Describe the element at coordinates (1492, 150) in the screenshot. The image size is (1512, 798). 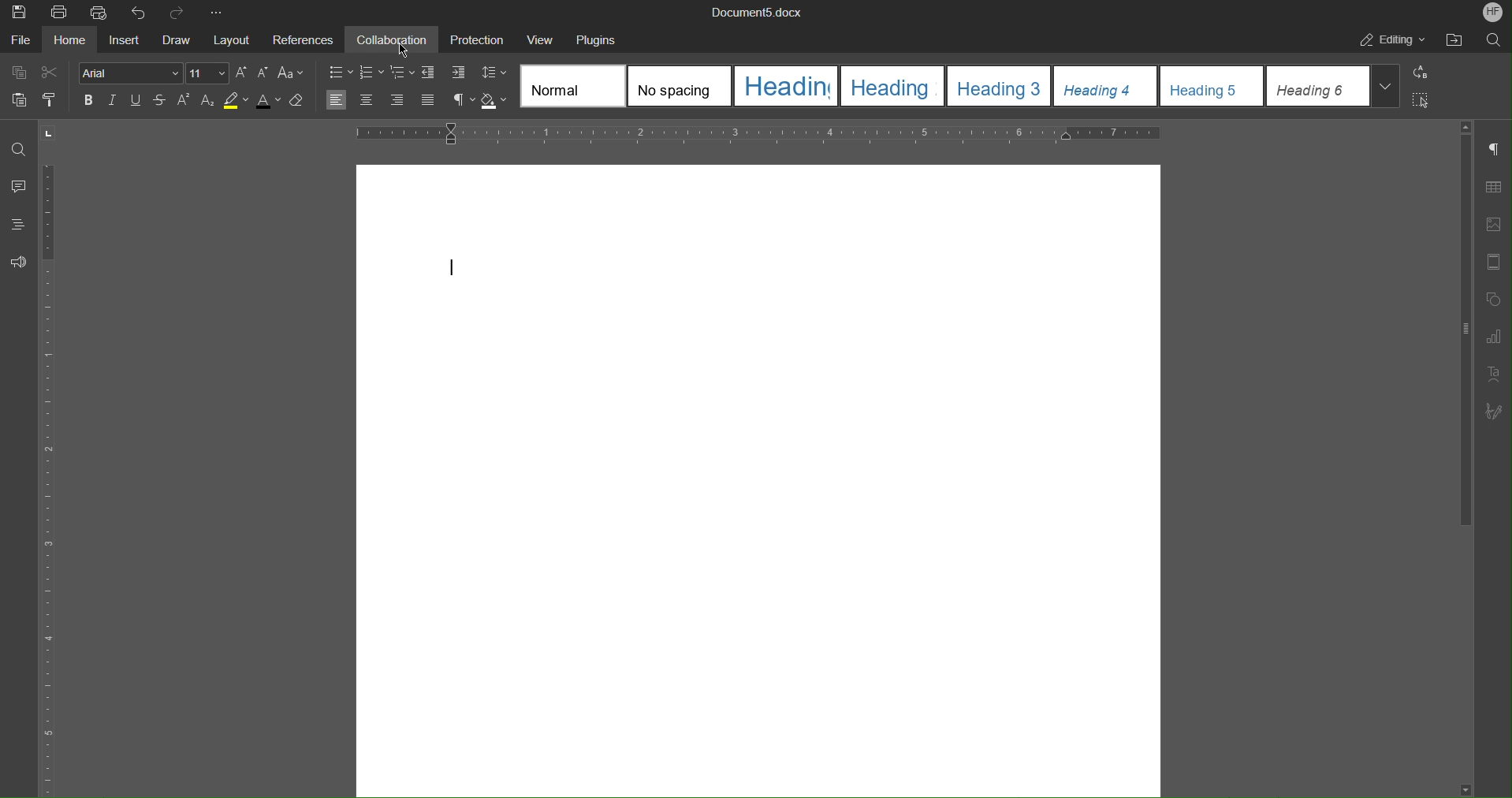
I see `Paragraph Settings` at that location.